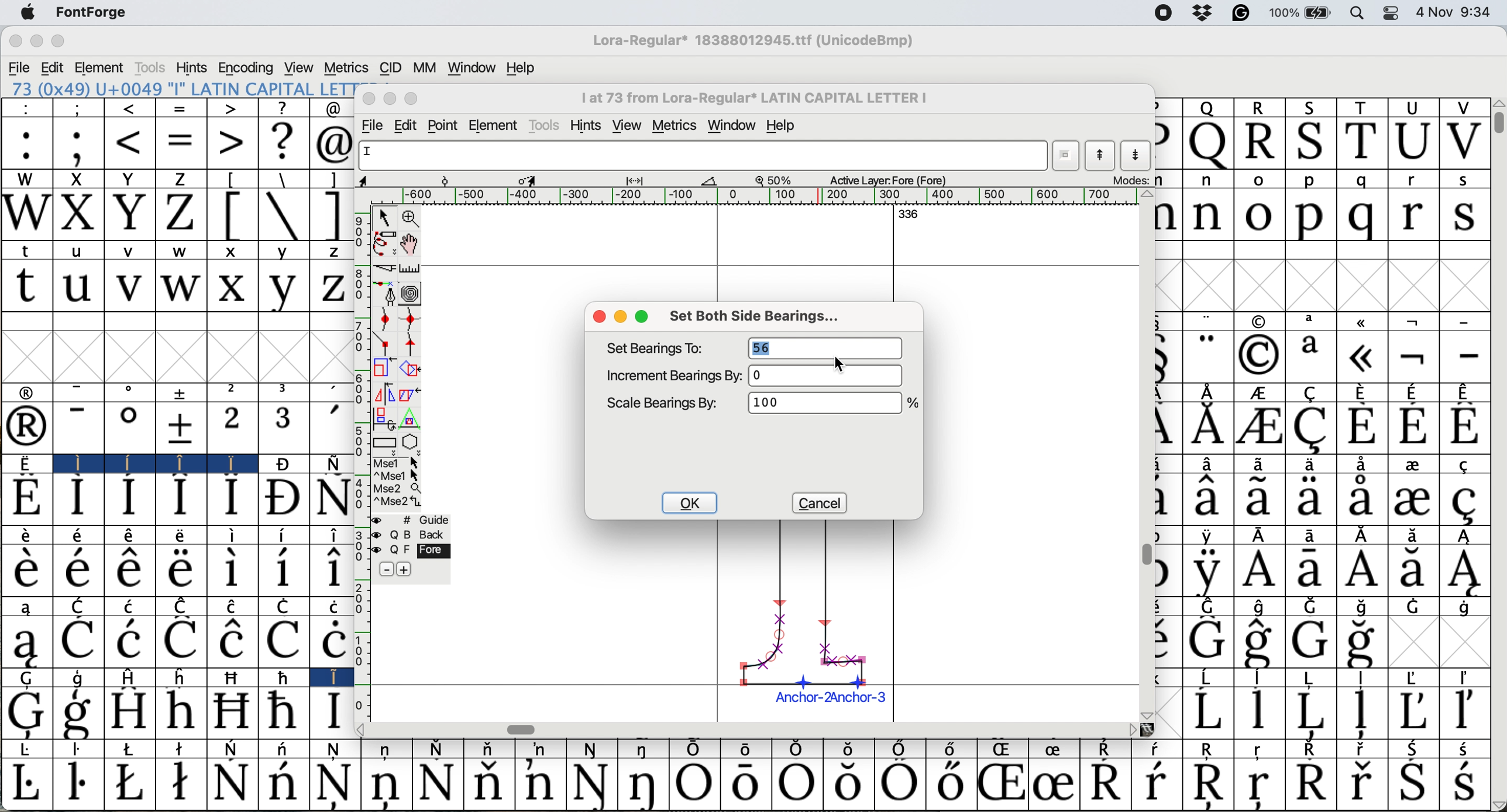 The image size is (1507, 812). What do you see at coordinates (1365, 678) in the screenshot?
I see `Symbol` at bounding box center [1365, 678].